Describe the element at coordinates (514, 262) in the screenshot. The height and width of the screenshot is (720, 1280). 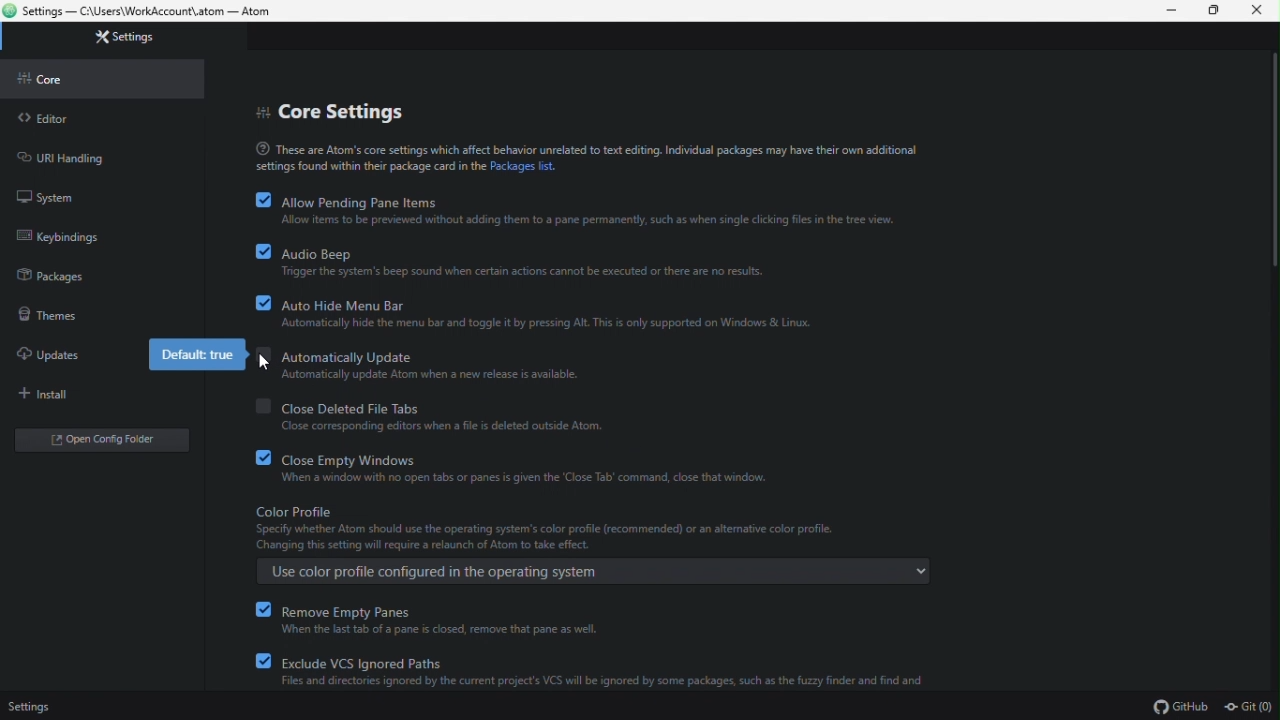
I see `audio beep` at that location.